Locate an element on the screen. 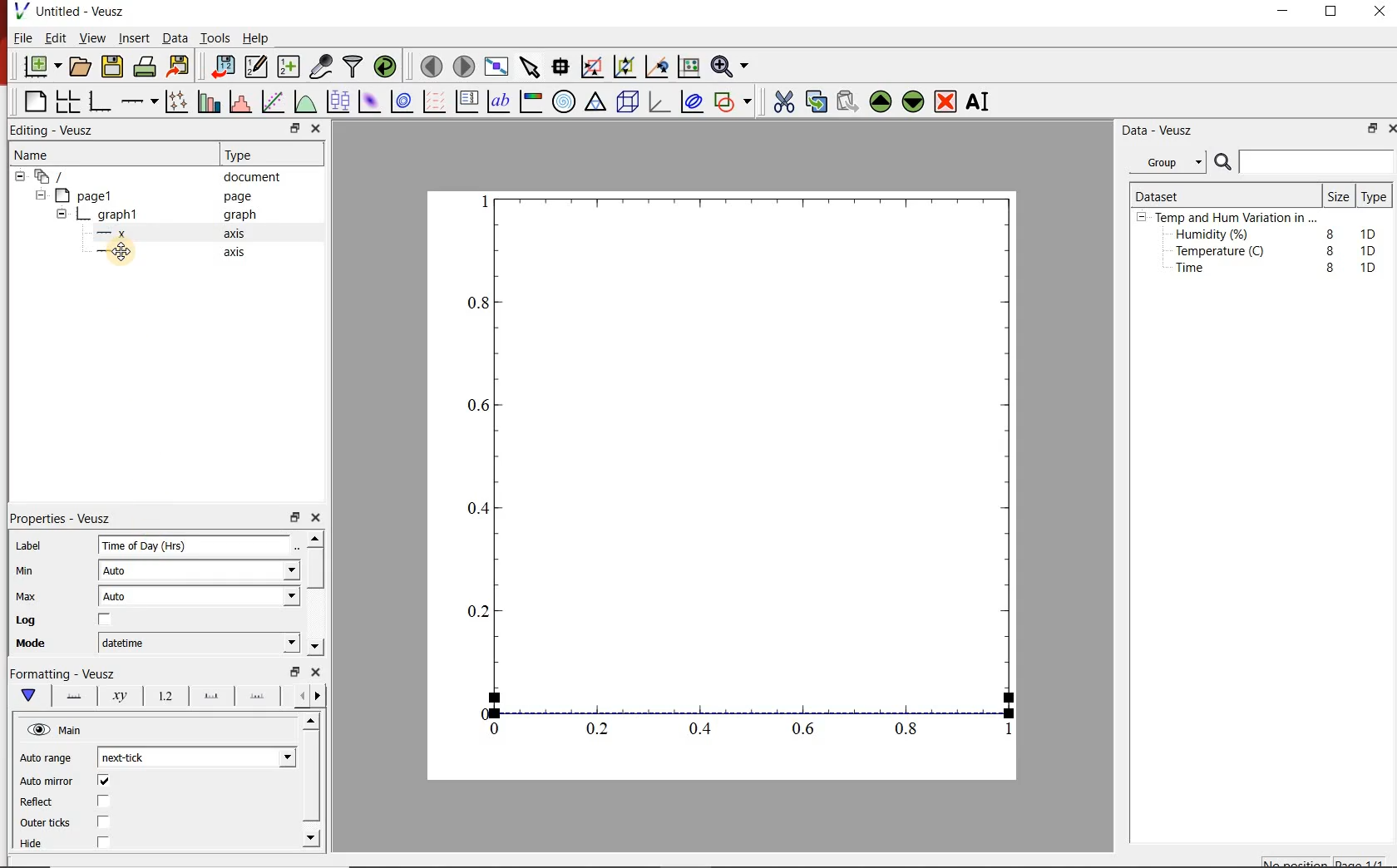 This screenshot has width=1397, height=868. filter data is located at coordinates (353, 67).